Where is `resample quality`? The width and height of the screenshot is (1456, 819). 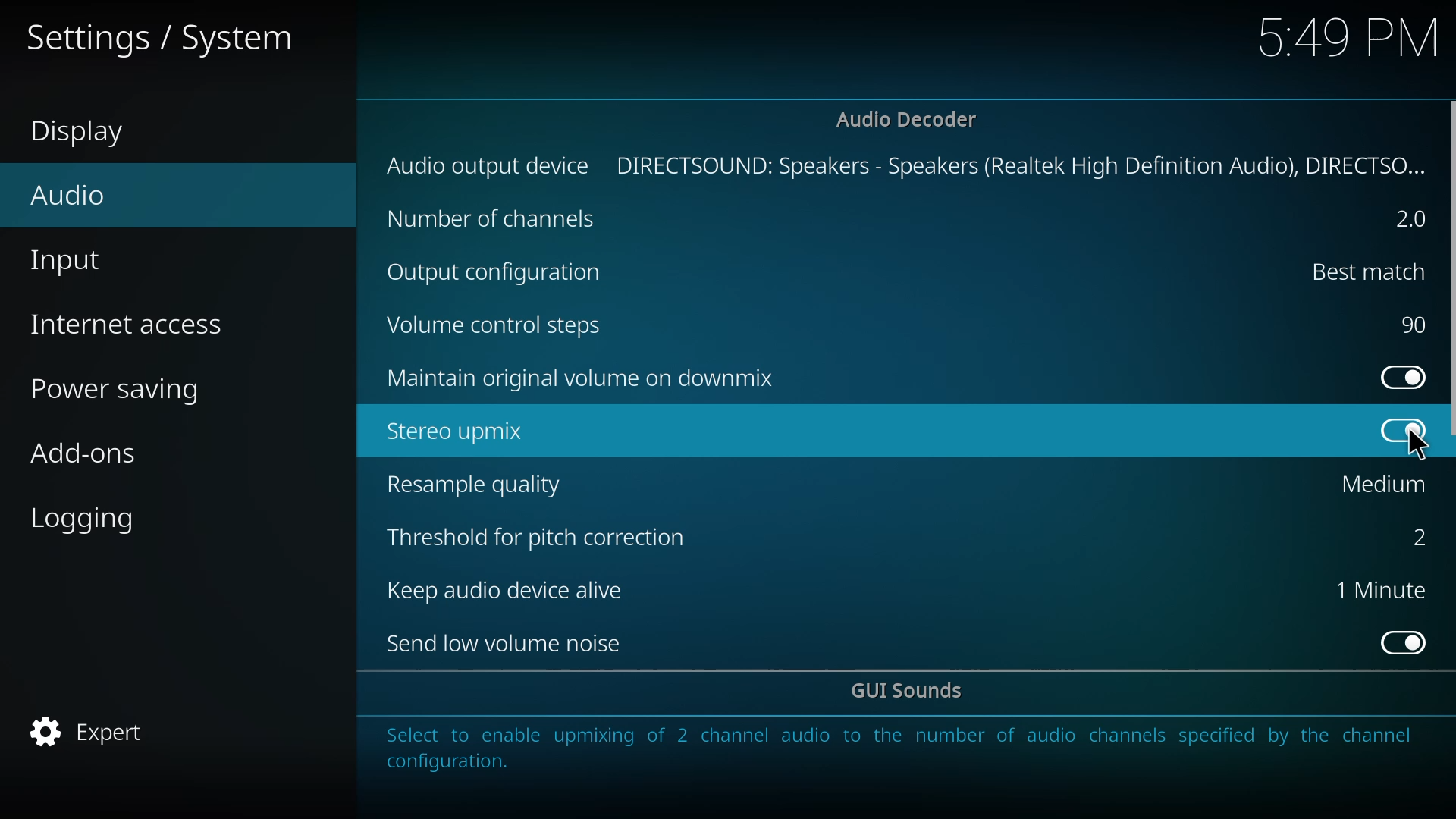 resample quality is located at coordinates (487, 484).